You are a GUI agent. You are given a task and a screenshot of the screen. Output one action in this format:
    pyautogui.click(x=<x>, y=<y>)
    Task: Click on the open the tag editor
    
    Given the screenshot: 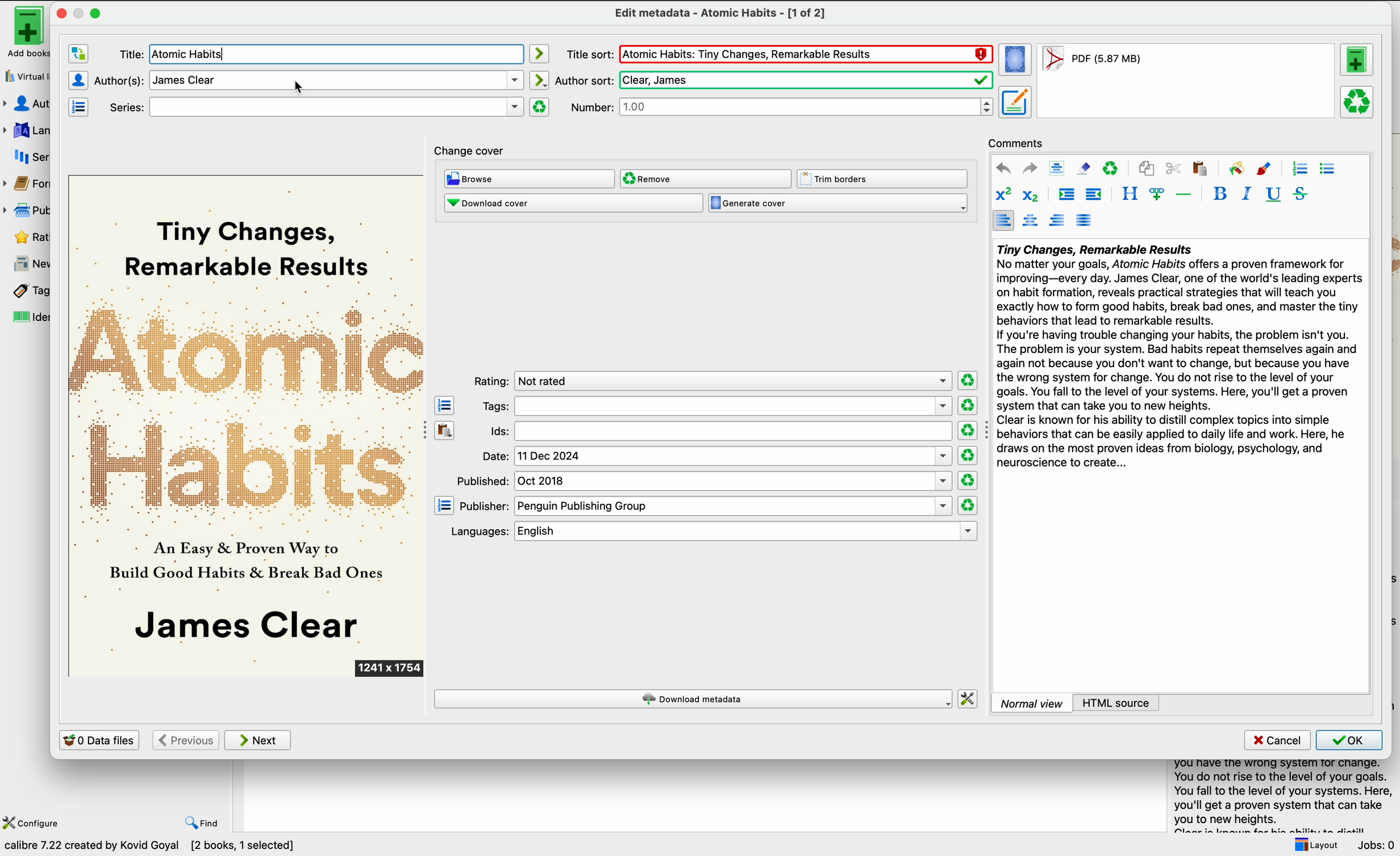 What is the action you would take?
    pyautogui.click(x=444, y=405)
    